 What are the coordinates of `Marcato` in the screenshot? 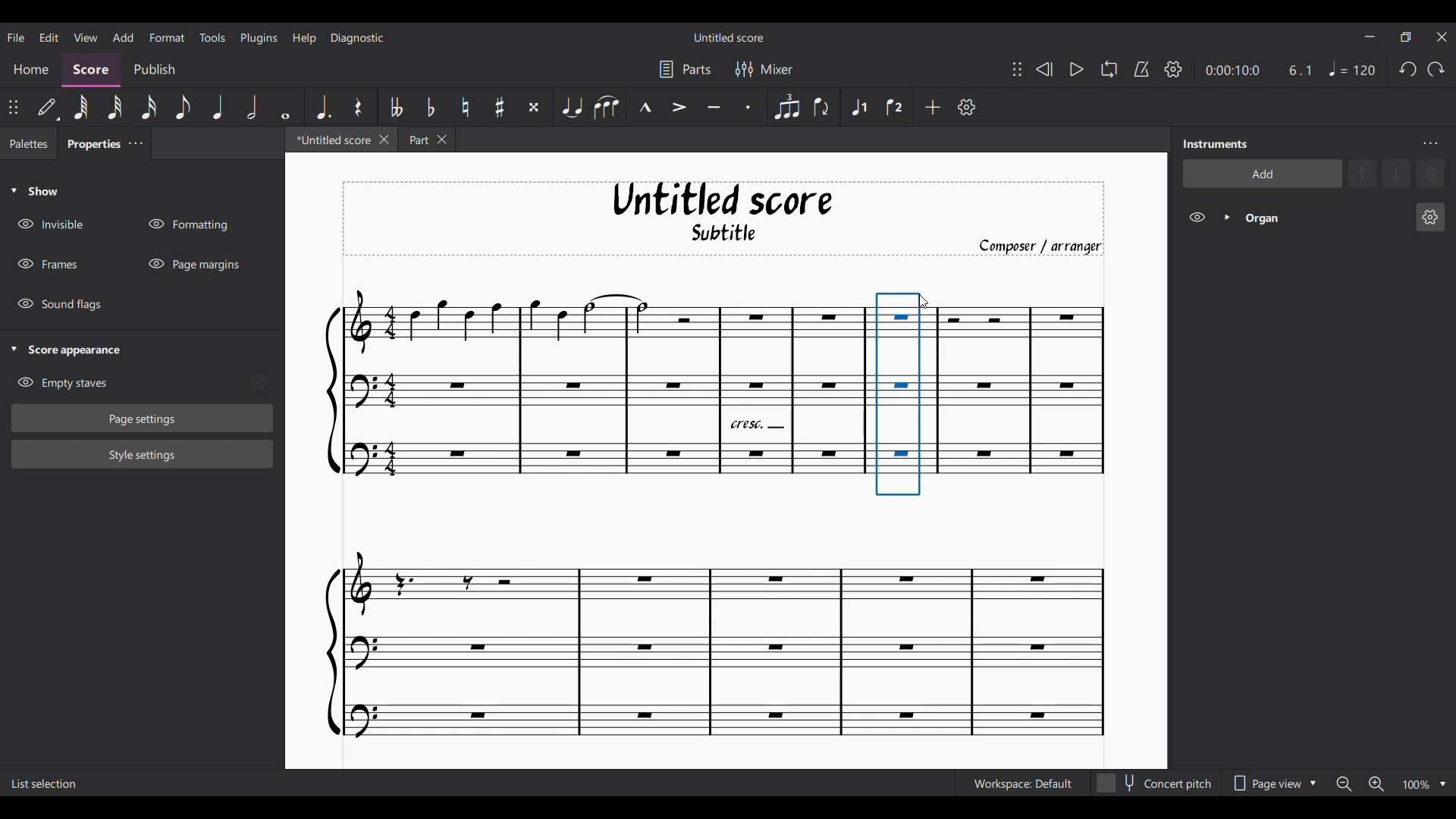 It's located at (644, 108).